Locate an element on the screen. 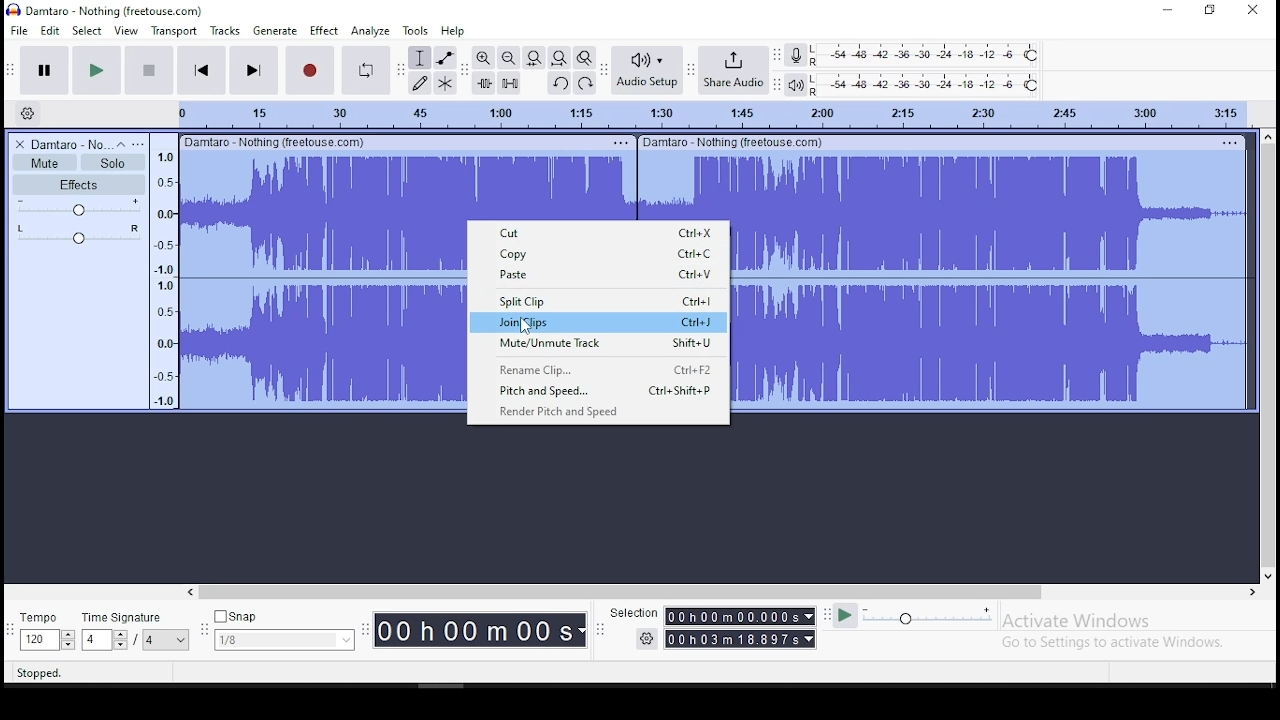 This screenshot has width=1280, height=720. redo is located at coordinates (587, 84).